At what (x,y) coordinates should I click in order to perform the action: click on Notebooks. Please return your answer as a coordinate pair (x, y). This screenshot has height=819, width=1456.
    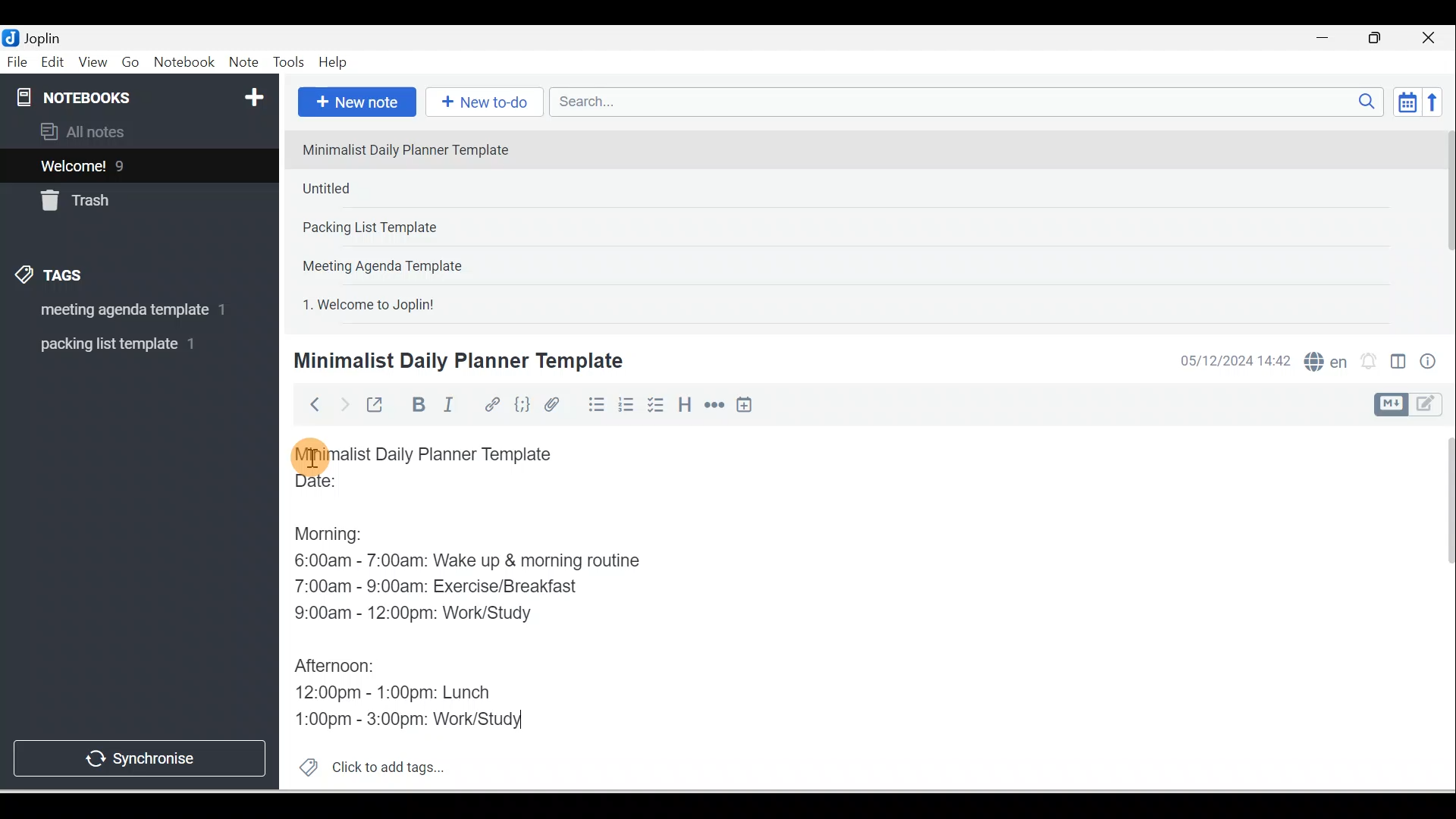
    Looking at the image, I should click on (143, 94).